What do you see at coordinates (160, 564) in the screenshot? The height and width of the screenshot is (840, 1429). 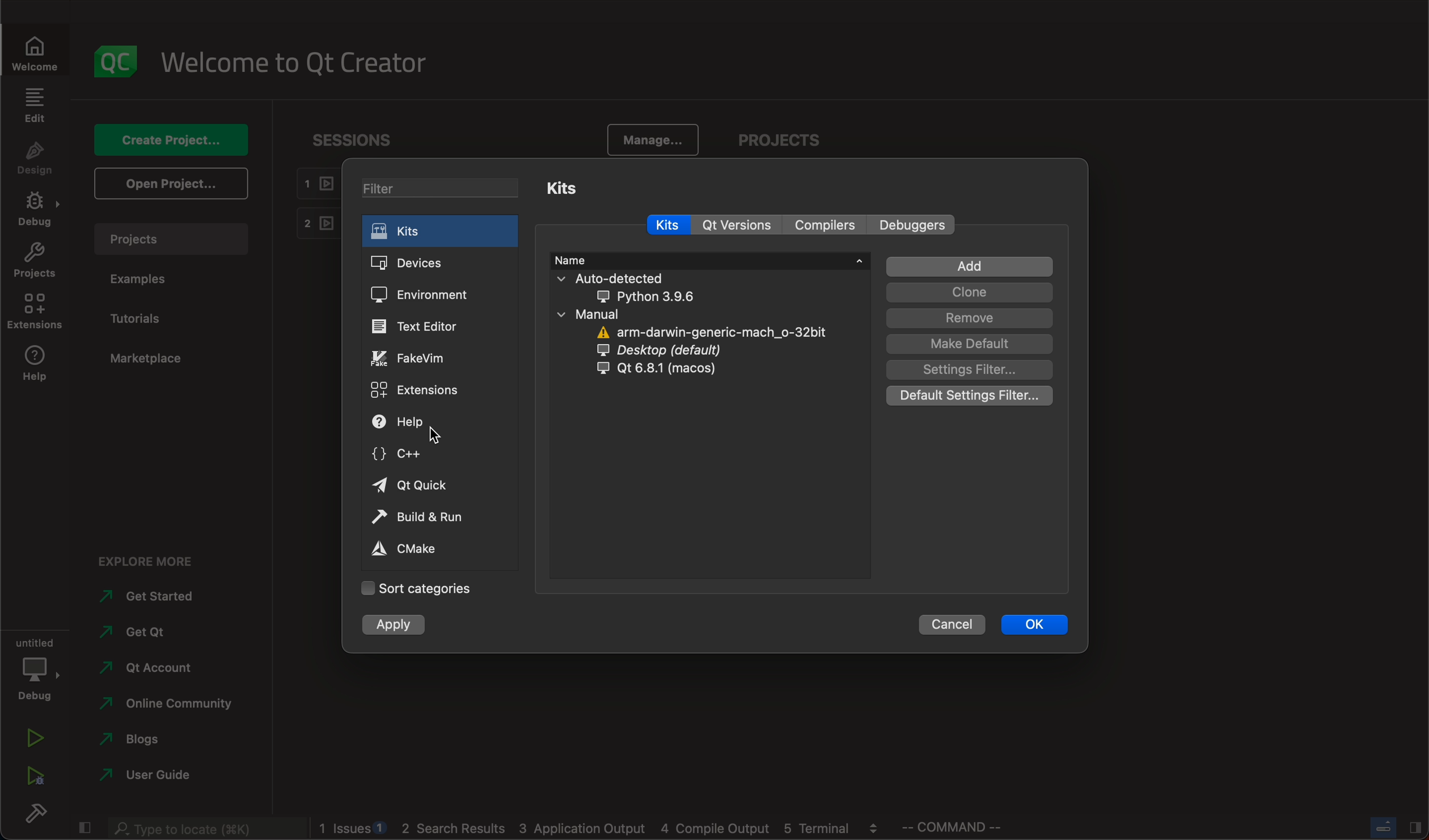 I see `explore` at bounding box center [160, 564].